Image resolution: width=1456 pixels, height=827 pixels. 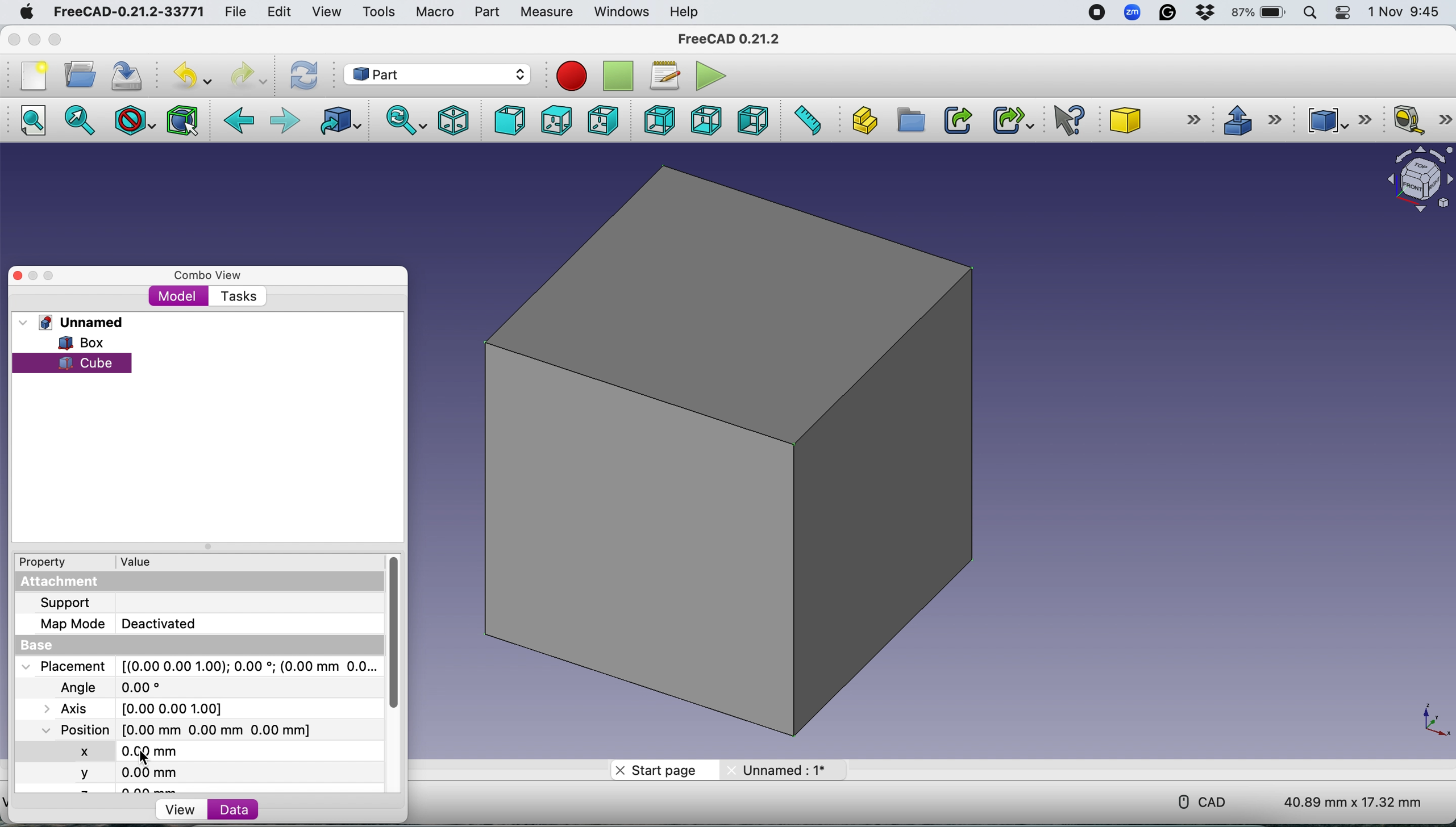 What do you see at coordinates (37, 562) in the screenshot?
I see `Property` at bounding box center [37, 562].